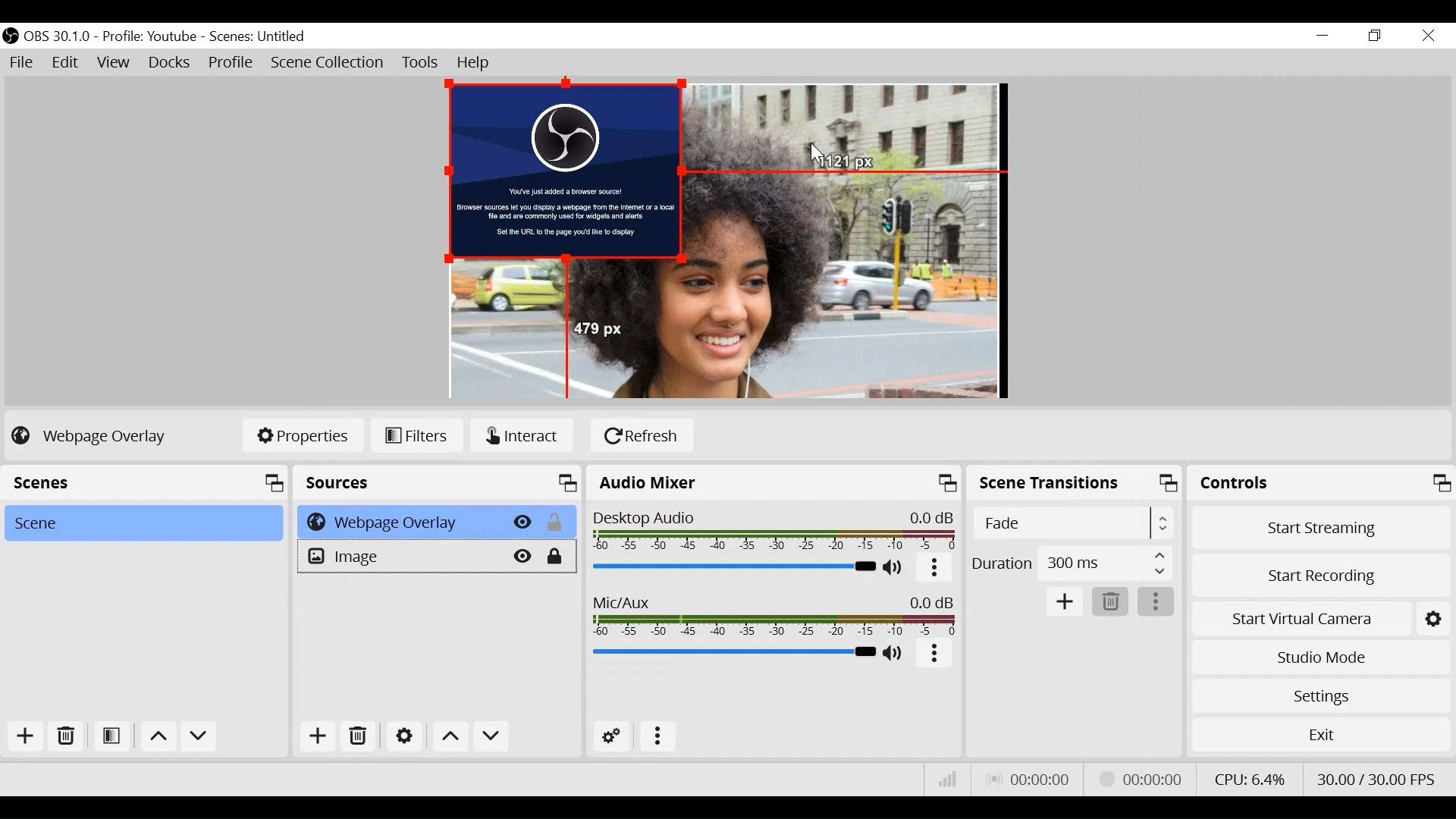 The image size is (1456, 819). What do you see at coordinates (1321, 694) in the screenshot?
I see `Settings` at bounding box center [1321, 694].